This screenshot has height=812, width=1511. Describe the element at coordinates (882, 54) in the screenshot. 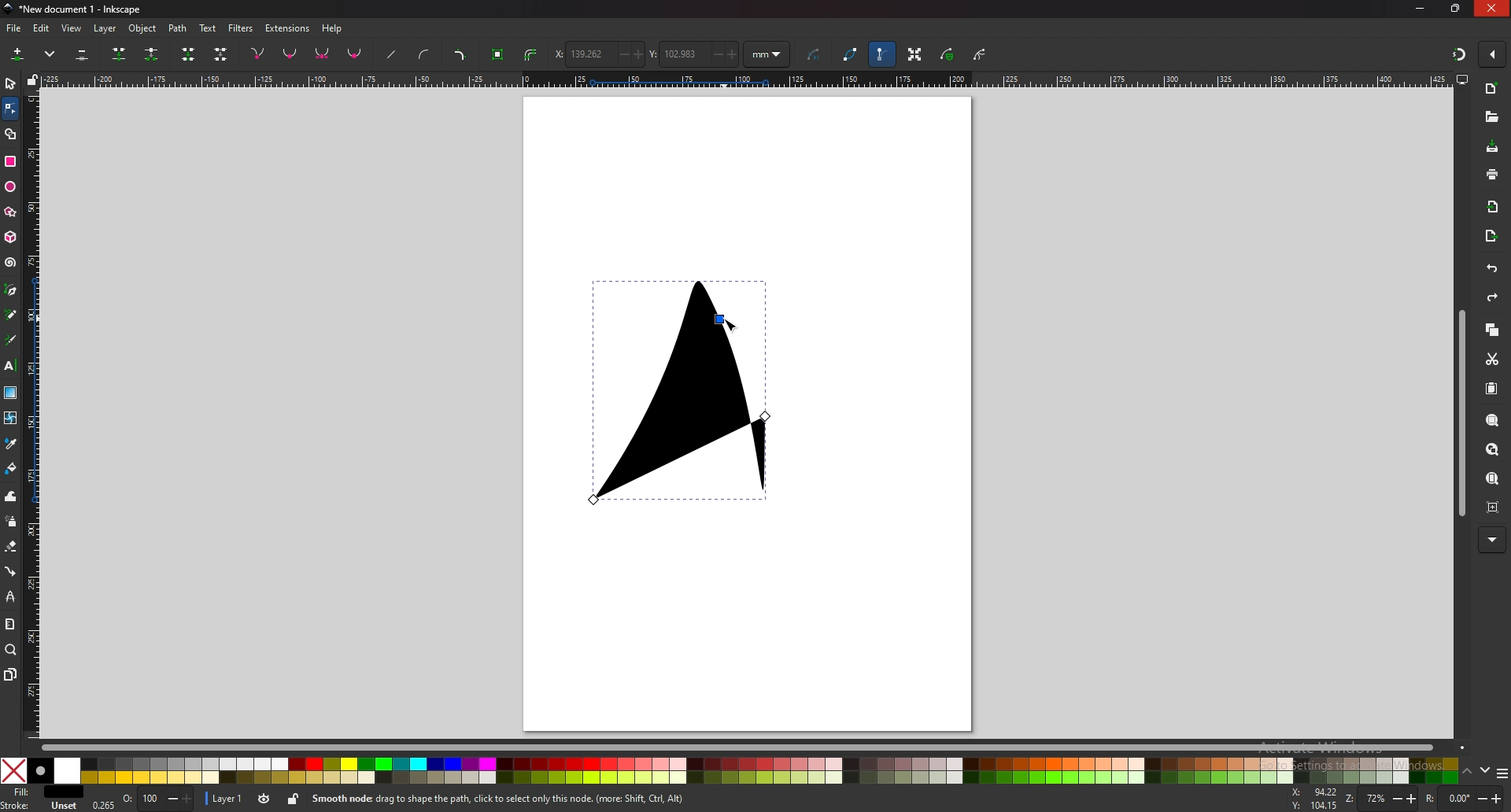

I see `show bezier handle` at that location.